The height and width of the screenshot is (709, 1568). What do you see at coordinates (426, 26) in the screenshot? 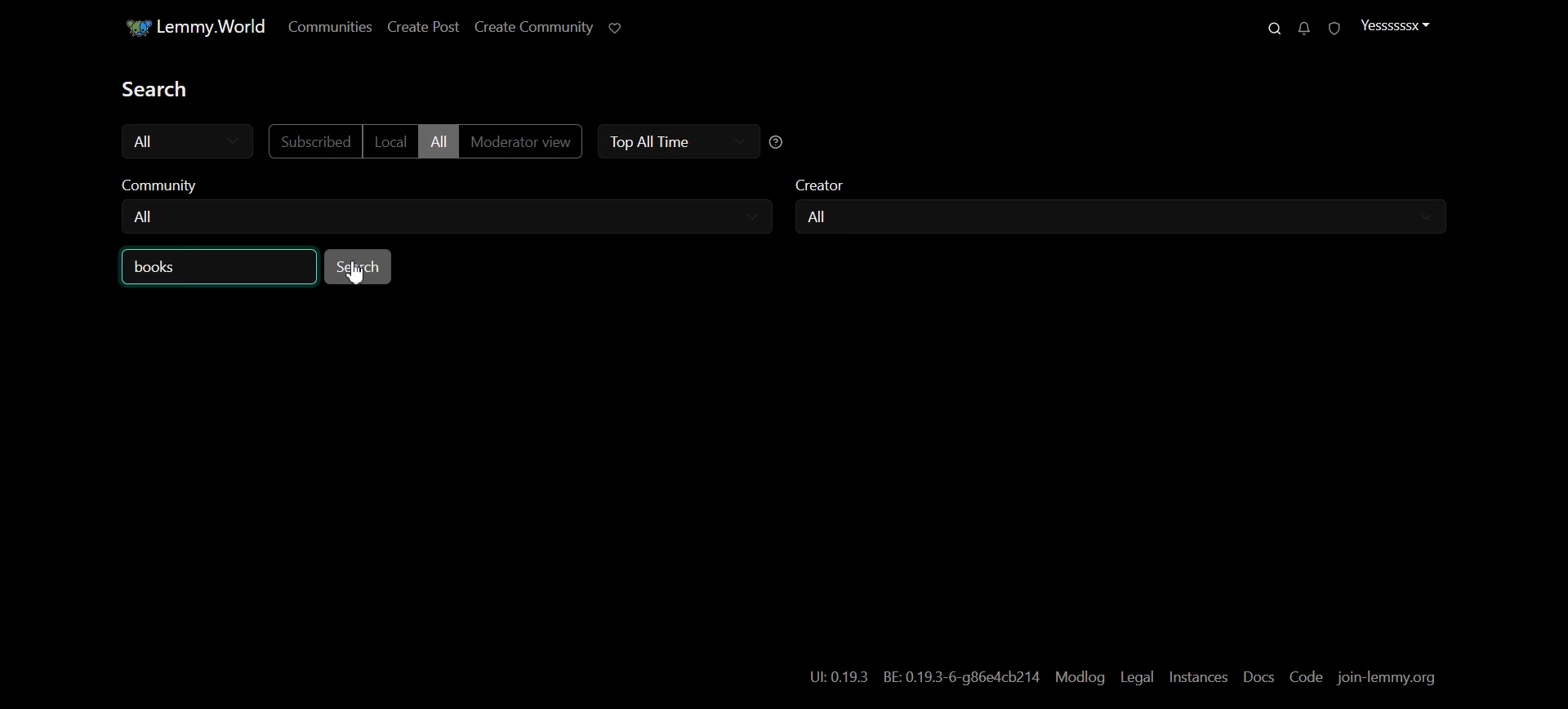
I see `Create Post` at bounding box center [426, 26].